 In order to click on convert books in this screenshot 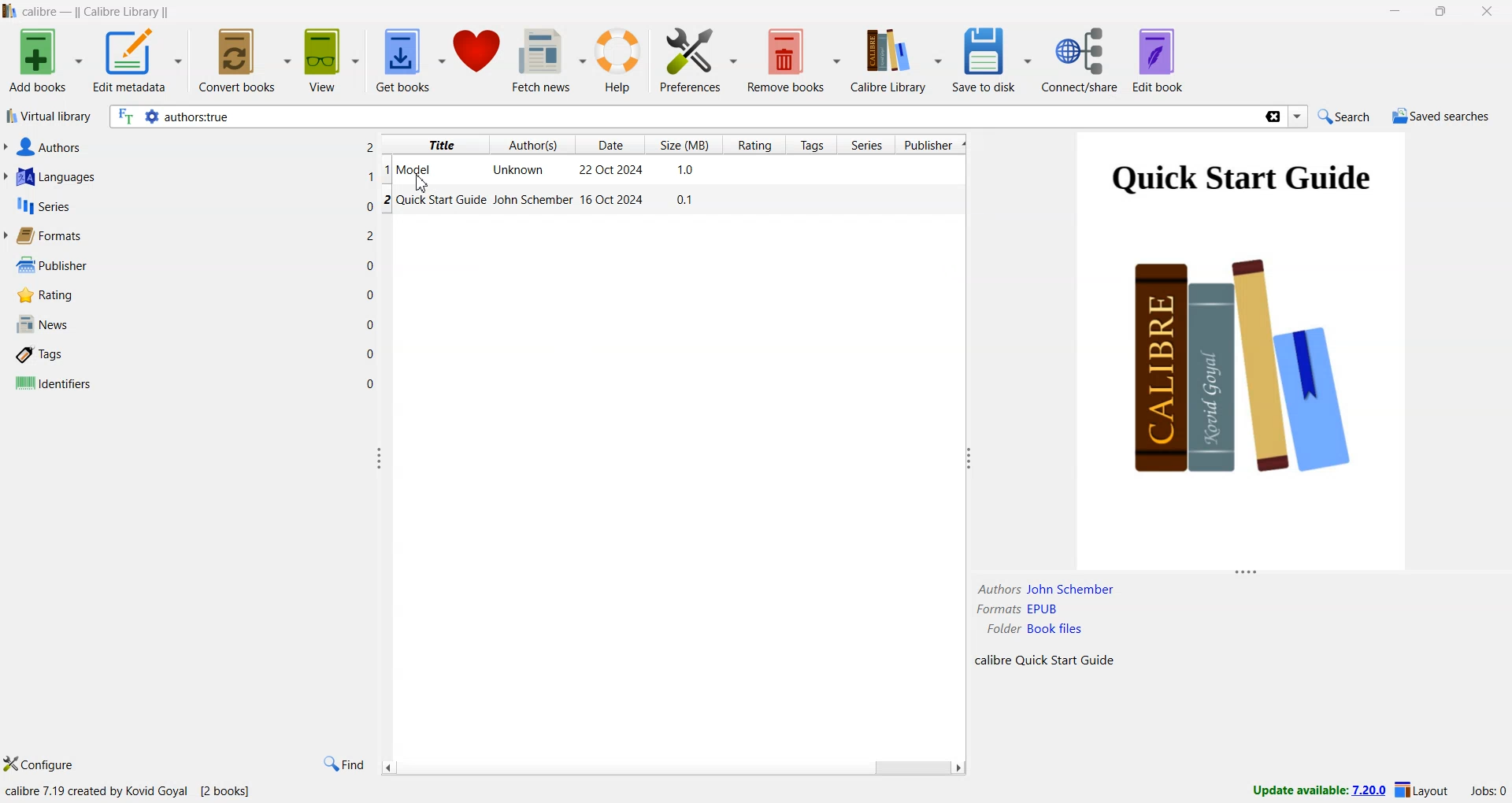, I will do `click(246, 59)`.